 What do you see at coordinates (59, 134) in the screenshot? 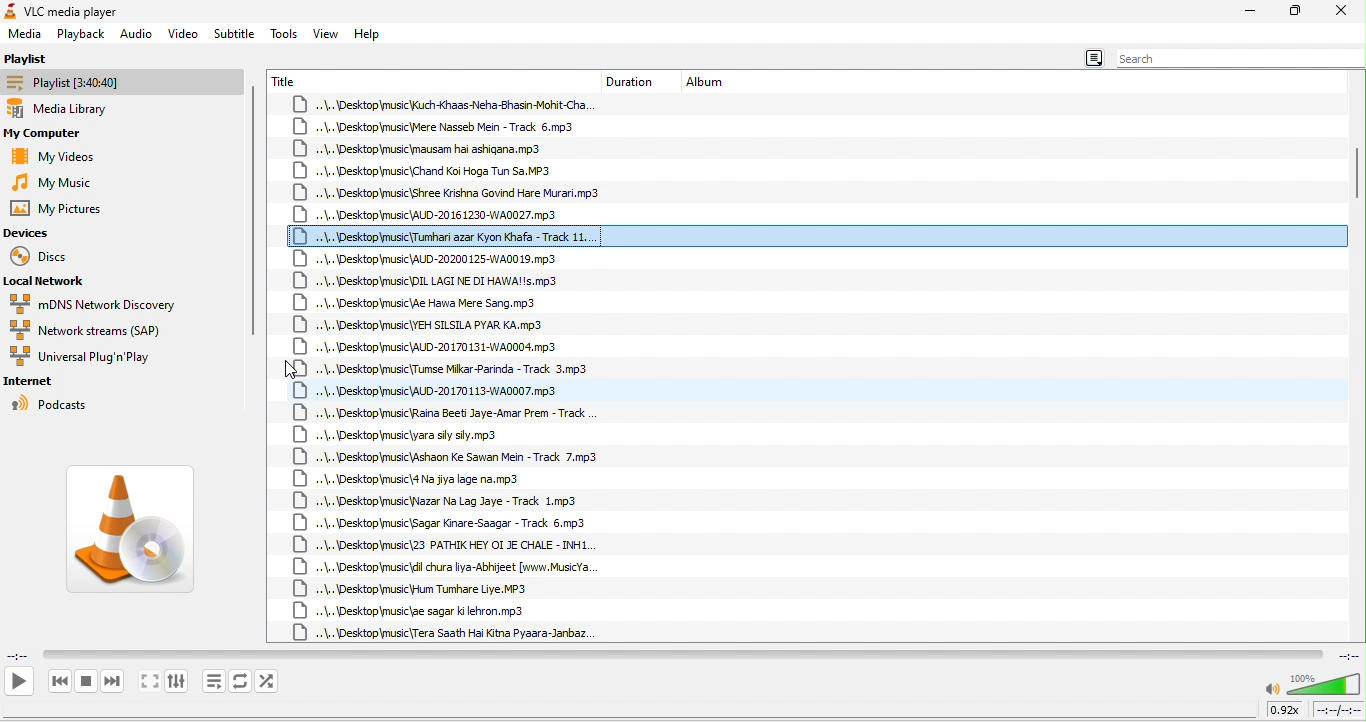
I see `my computer` at bounding box center [59, 134].